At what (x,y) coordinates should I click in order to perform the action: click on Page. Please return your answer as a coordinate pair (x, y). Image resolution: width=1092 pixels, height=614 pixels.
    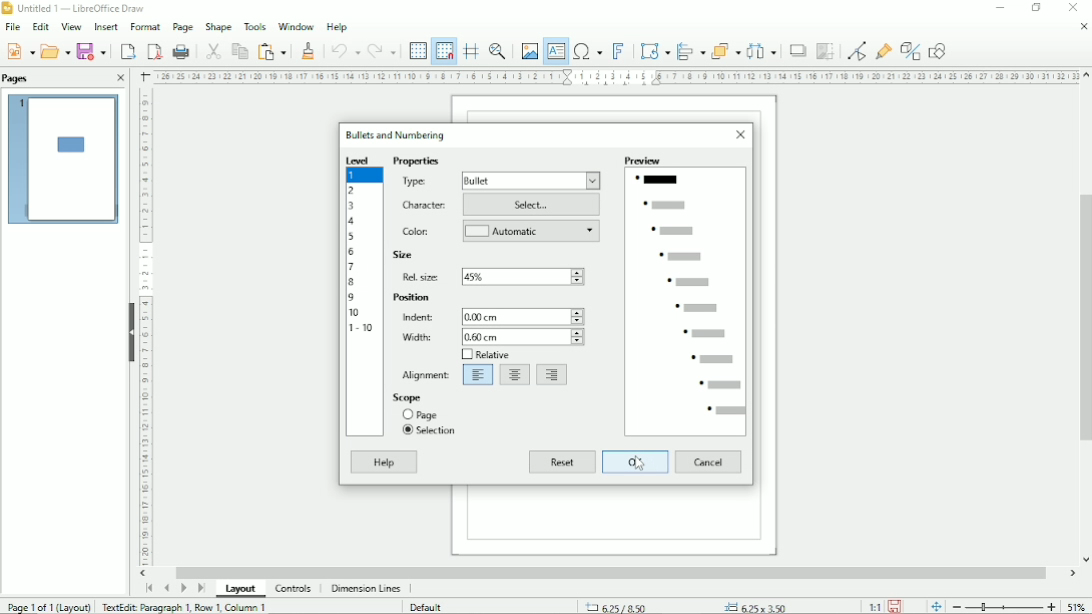
    Looking at the image, I should click on (422, 414).